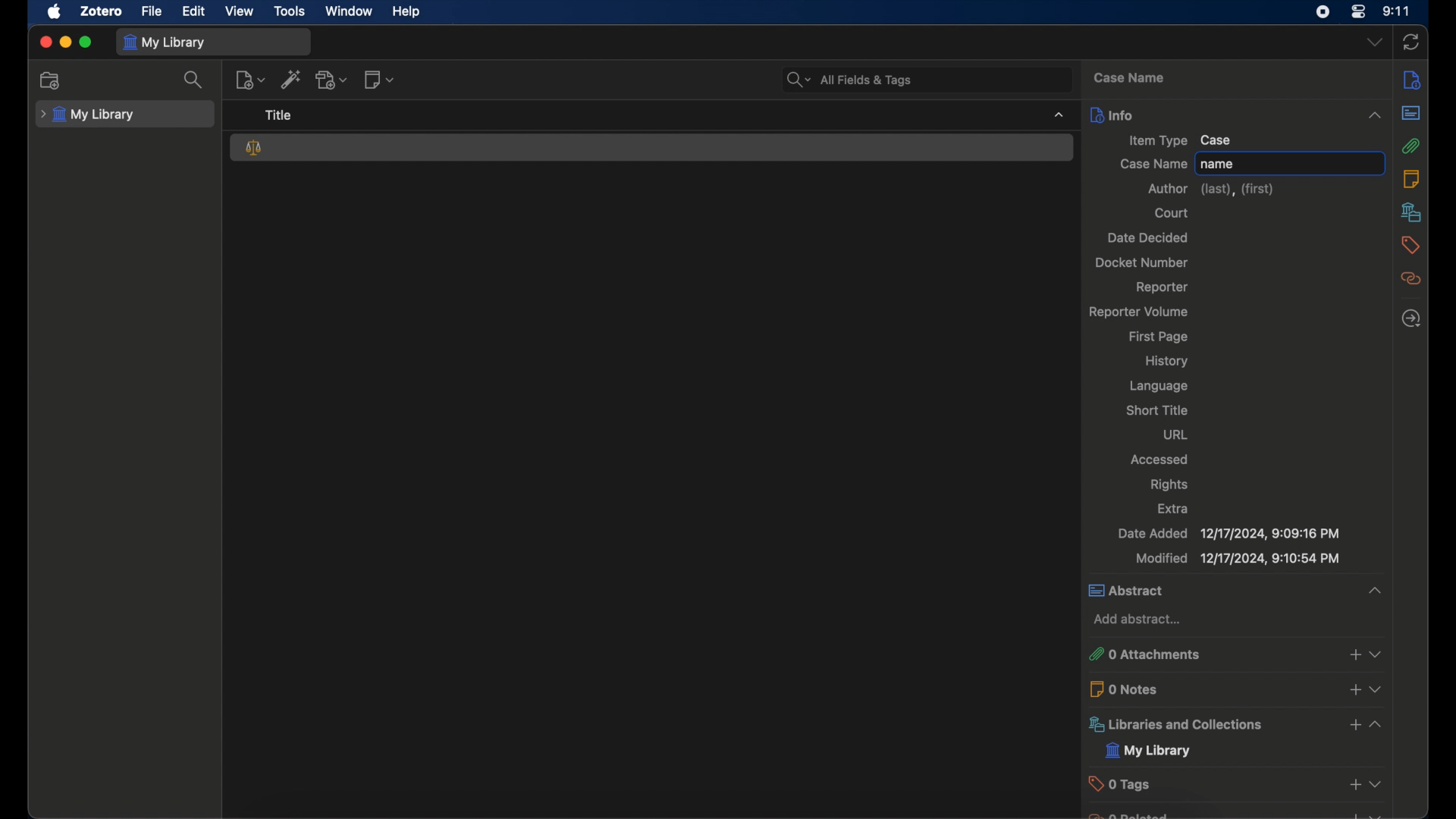 This screenshot has height=819, width=1456. I want to click on zotero, so click(102, 11).